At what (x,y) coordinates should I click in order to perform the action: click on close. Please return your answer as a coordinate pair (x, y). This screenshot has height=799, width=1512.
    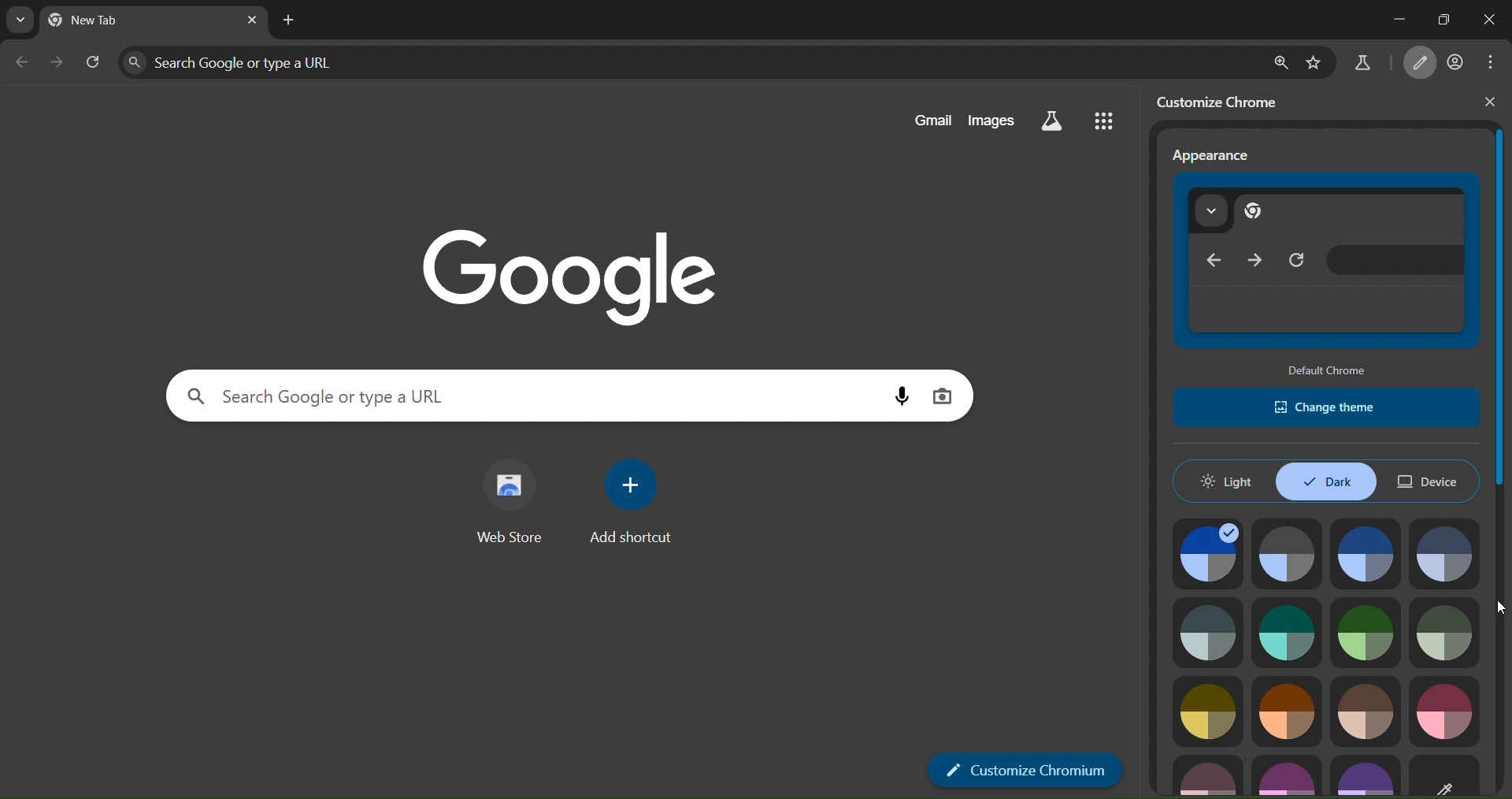
    Looking at the image, I should click on (1489, 102).